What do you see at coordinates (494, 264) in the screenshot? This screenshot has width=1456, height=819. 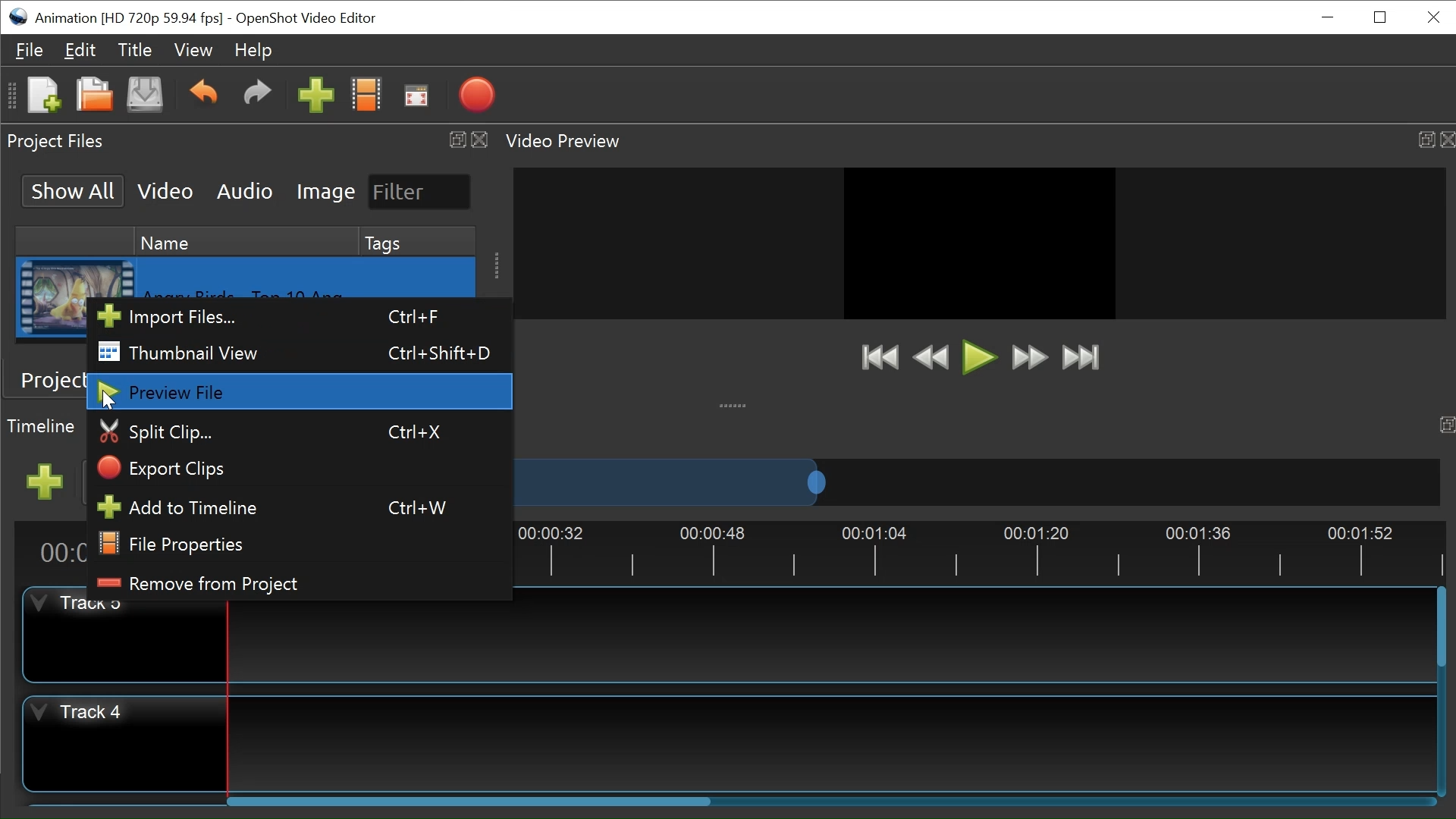 I see `Drag handle` at bounding box center [494, 264].